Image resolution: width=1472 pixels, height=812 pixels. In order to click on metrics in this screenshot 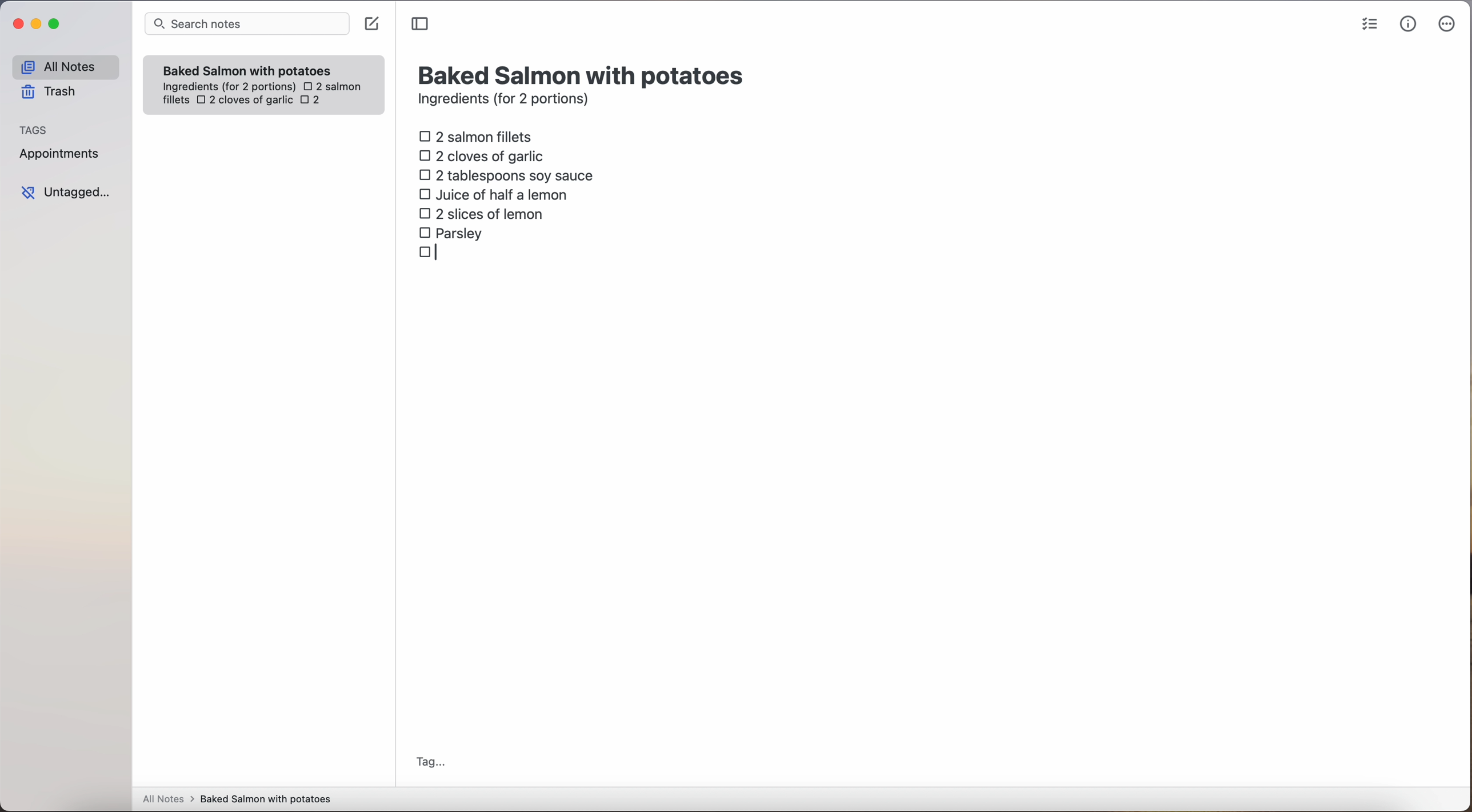, I will do `click(1409, 23)`.